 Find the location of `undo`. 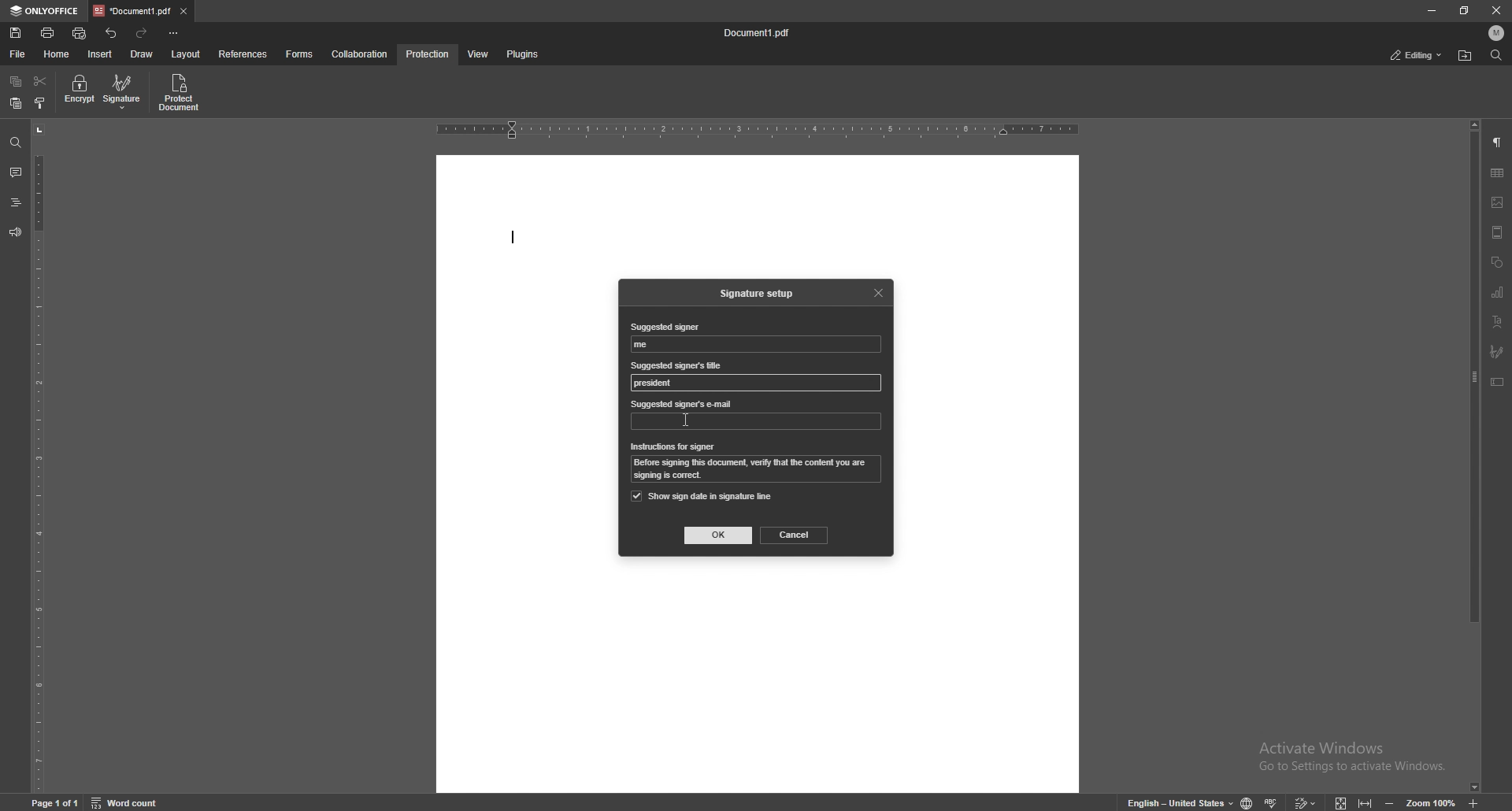

undo is located at coordinates (113, 33).